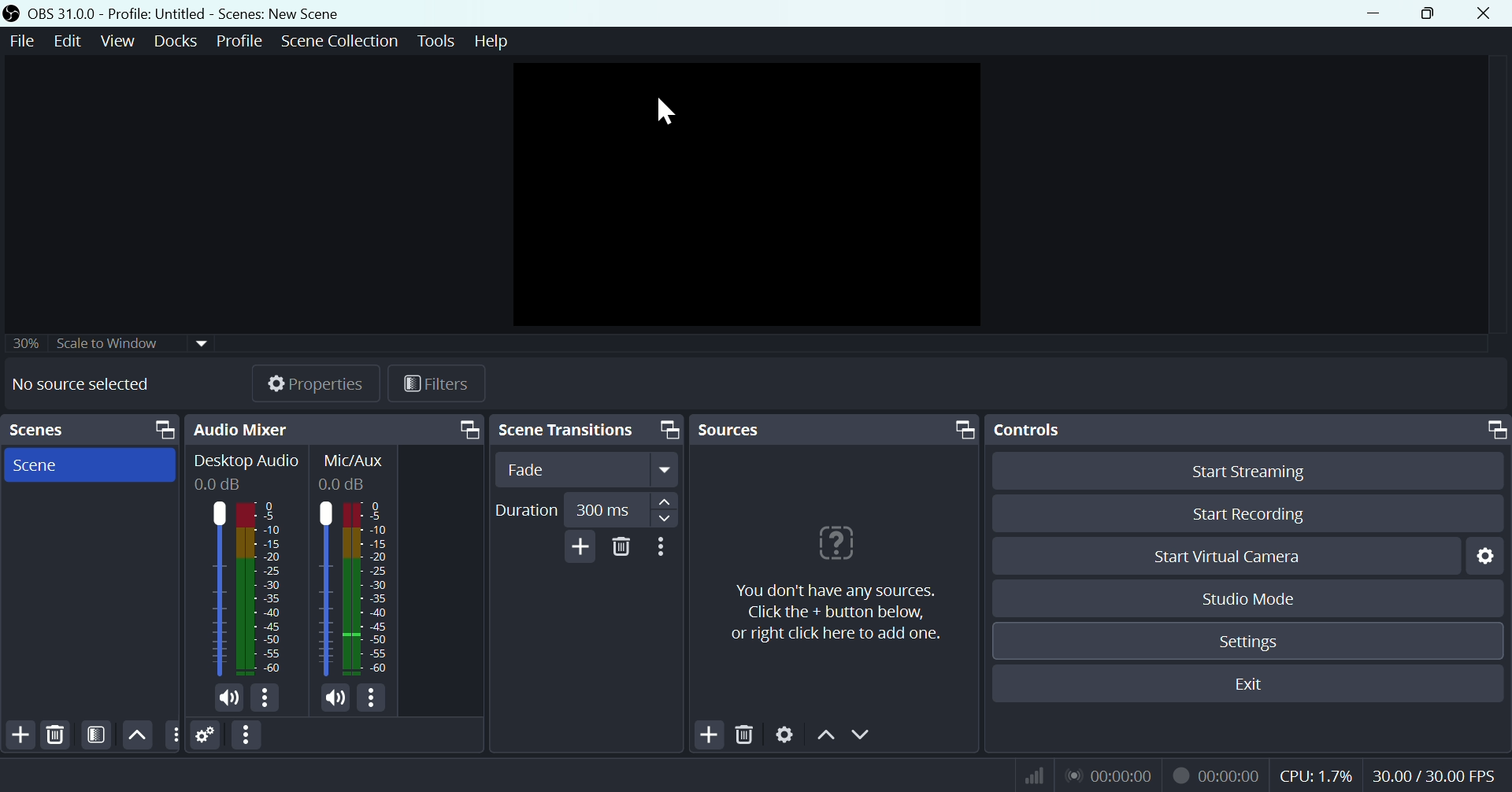 The height and width of the screenshot is (792, 1512). What do you see at coordinates (858, 734) in the screenshot?
I see `Down` at bounding box center [858, 734].